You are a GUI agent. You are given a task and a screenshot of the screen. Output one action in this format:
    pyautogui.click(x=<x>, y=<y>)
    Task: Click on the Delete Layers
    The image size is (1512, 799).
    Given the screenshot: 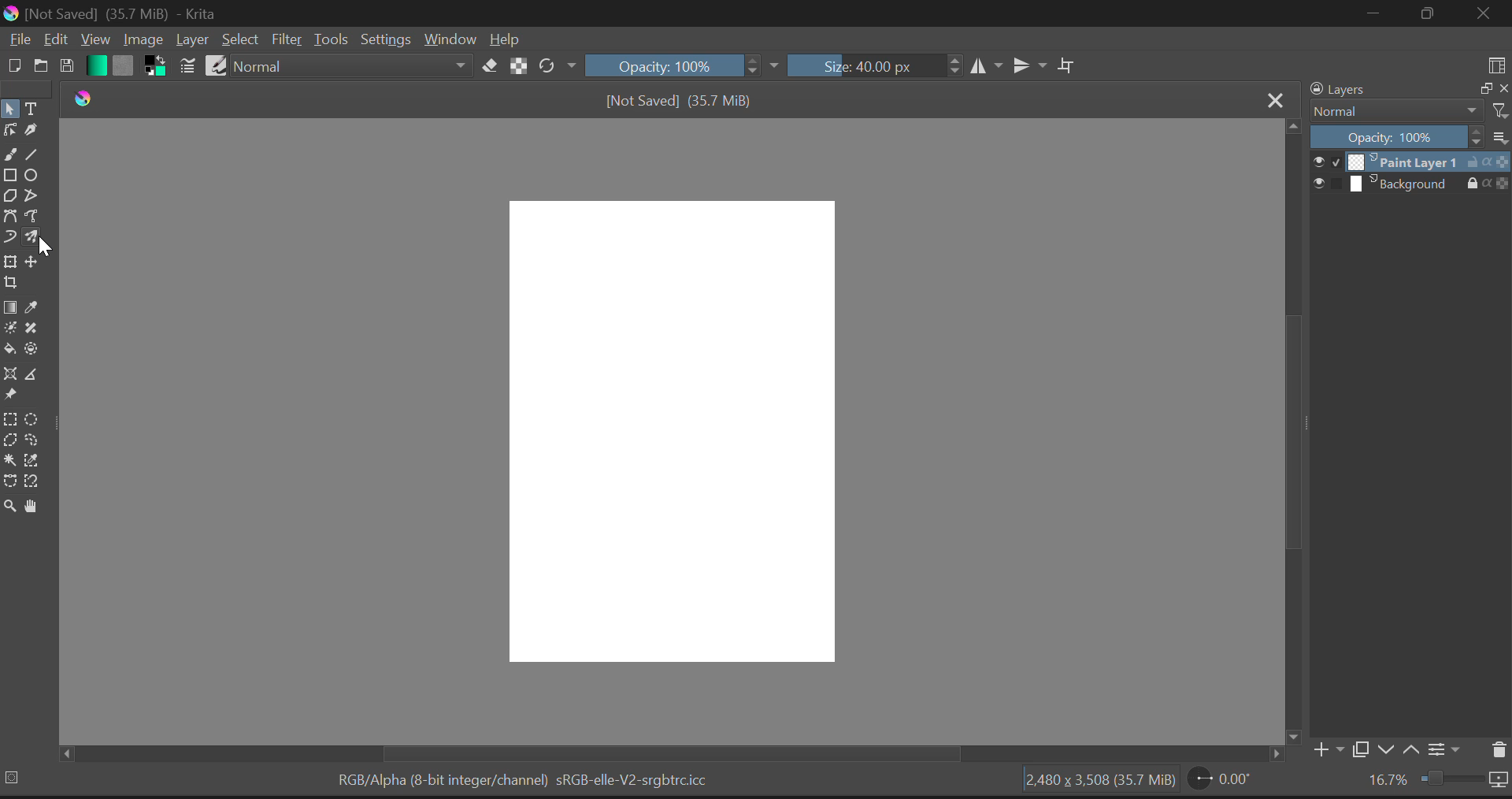 What is the action you would take?
    pyautogui.click(x=1497, y=748)
    